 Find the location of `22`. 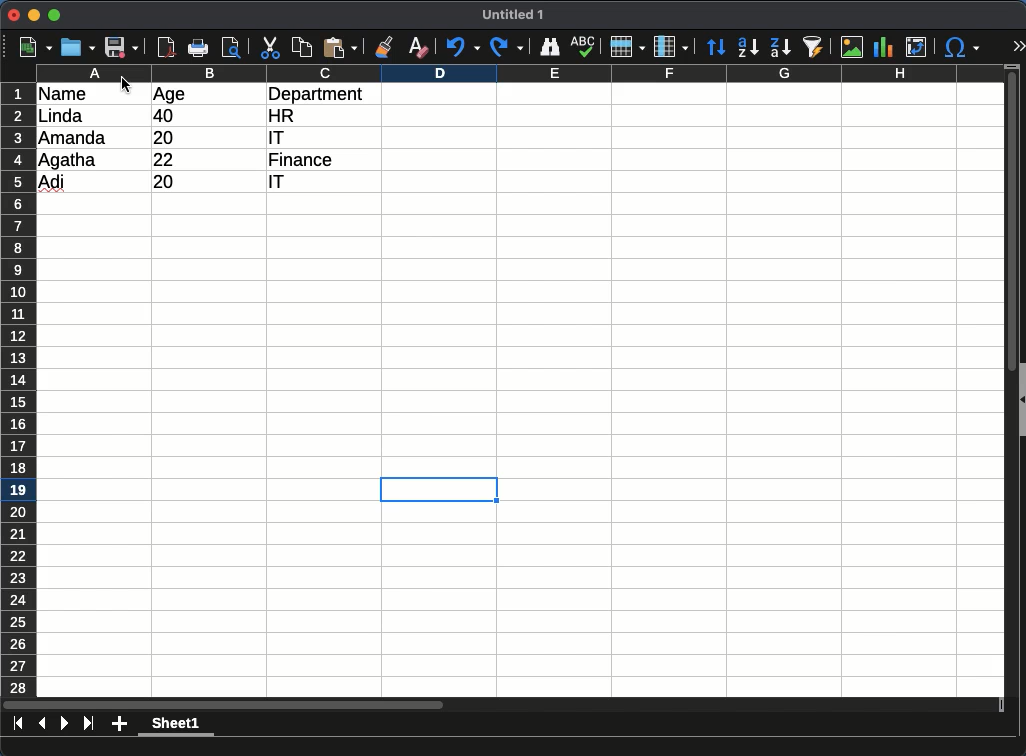

22 is located at coordinates (168, 159).